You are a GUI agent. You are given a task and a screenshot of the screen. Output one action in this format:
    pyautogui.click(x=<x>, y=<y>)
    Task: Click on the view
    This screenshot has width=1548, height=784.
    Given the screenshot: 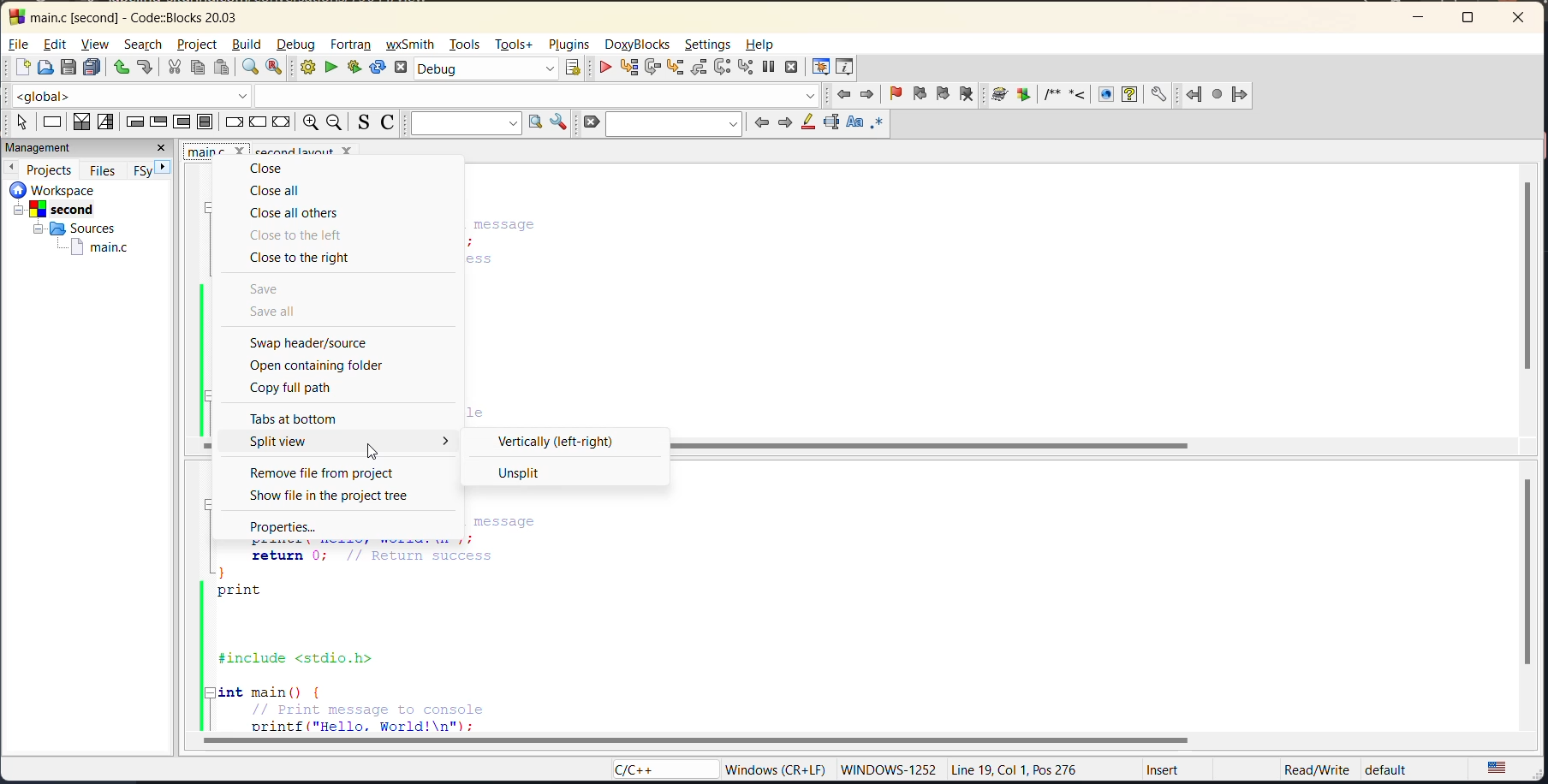 What is the action you would take?
    pyautogui.click(x=97, y=45)
    